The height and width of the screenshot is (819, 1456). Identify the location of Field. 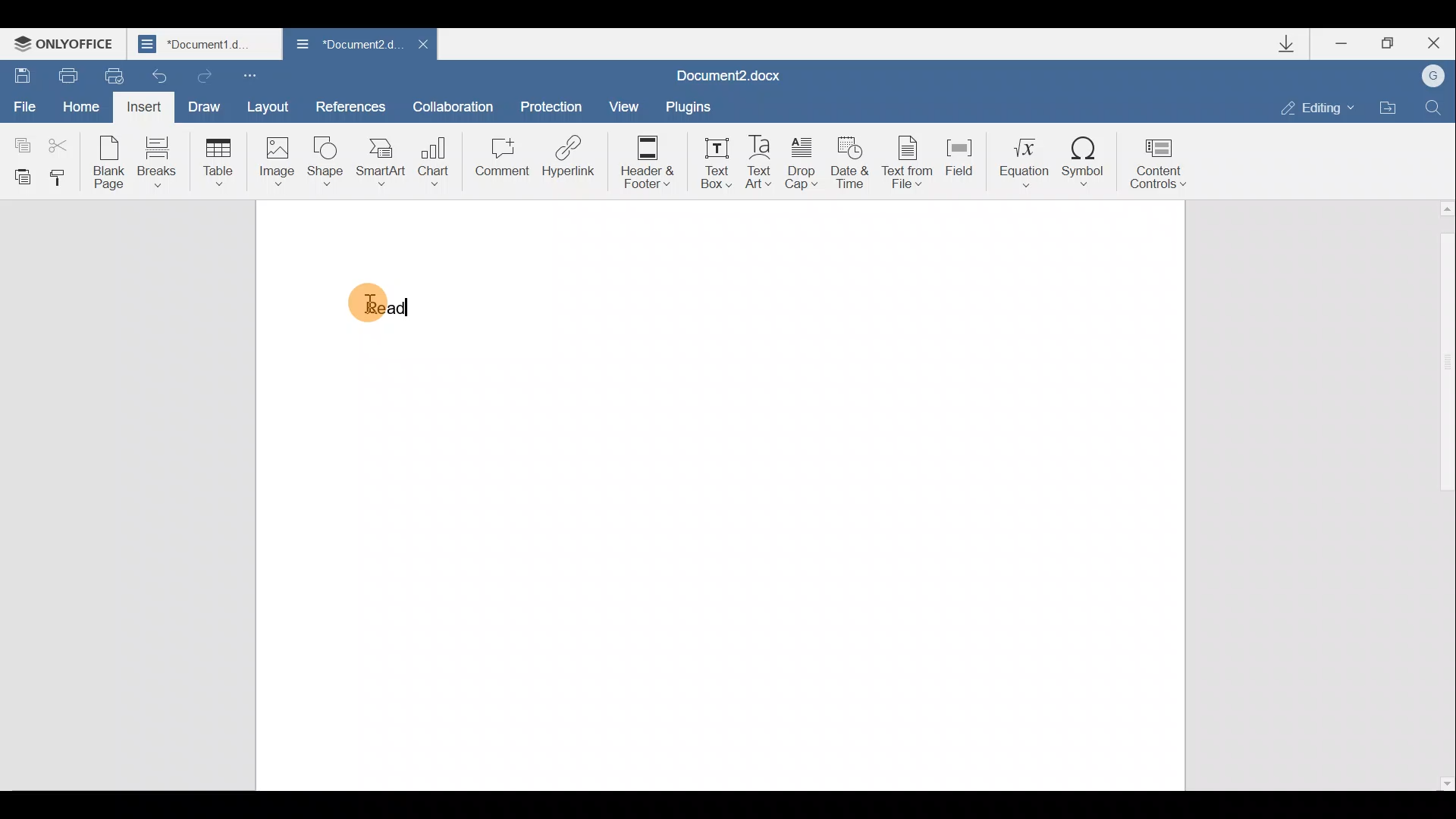
(959, 163).